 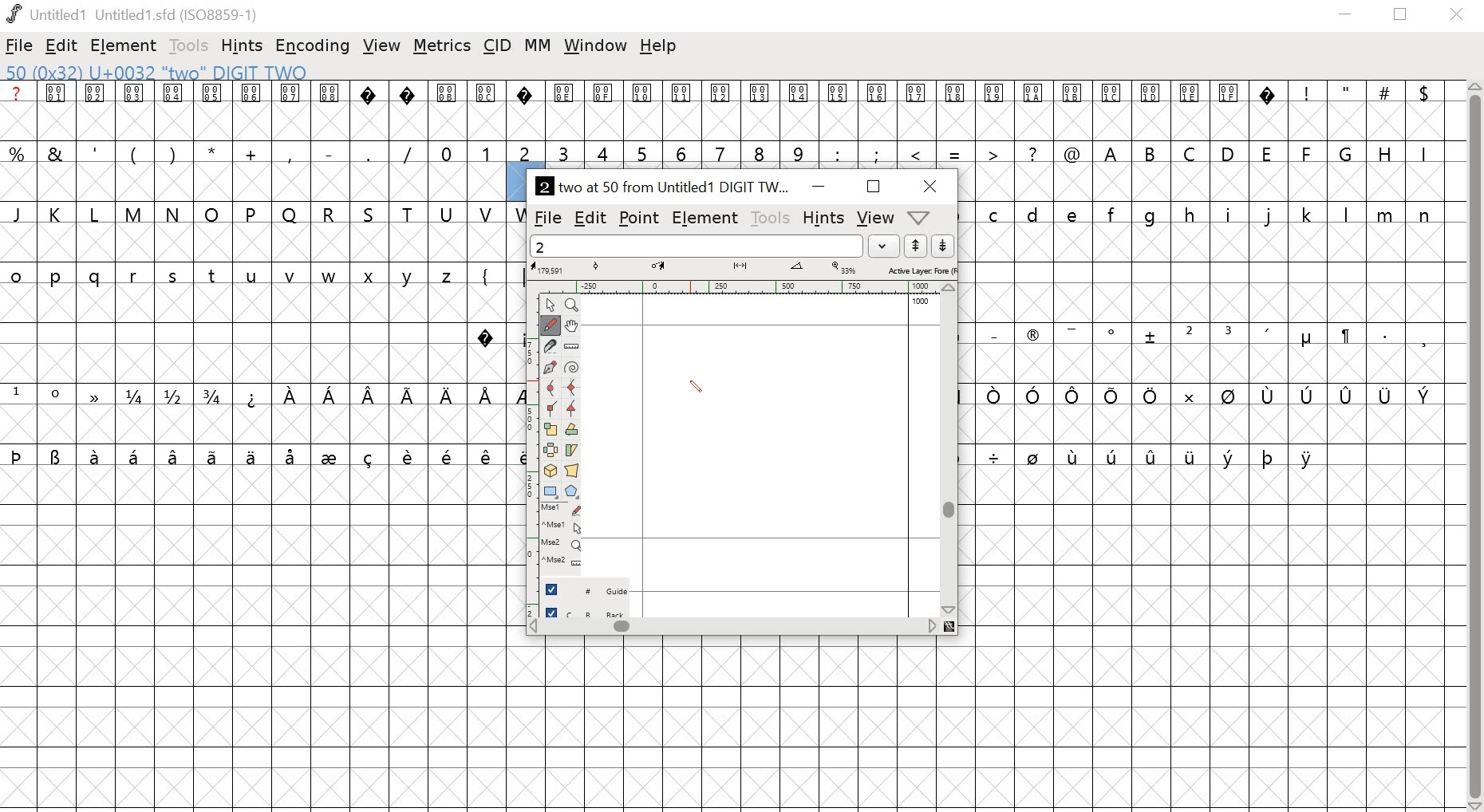 I want to click on back layer, so click(x=590, y=609).